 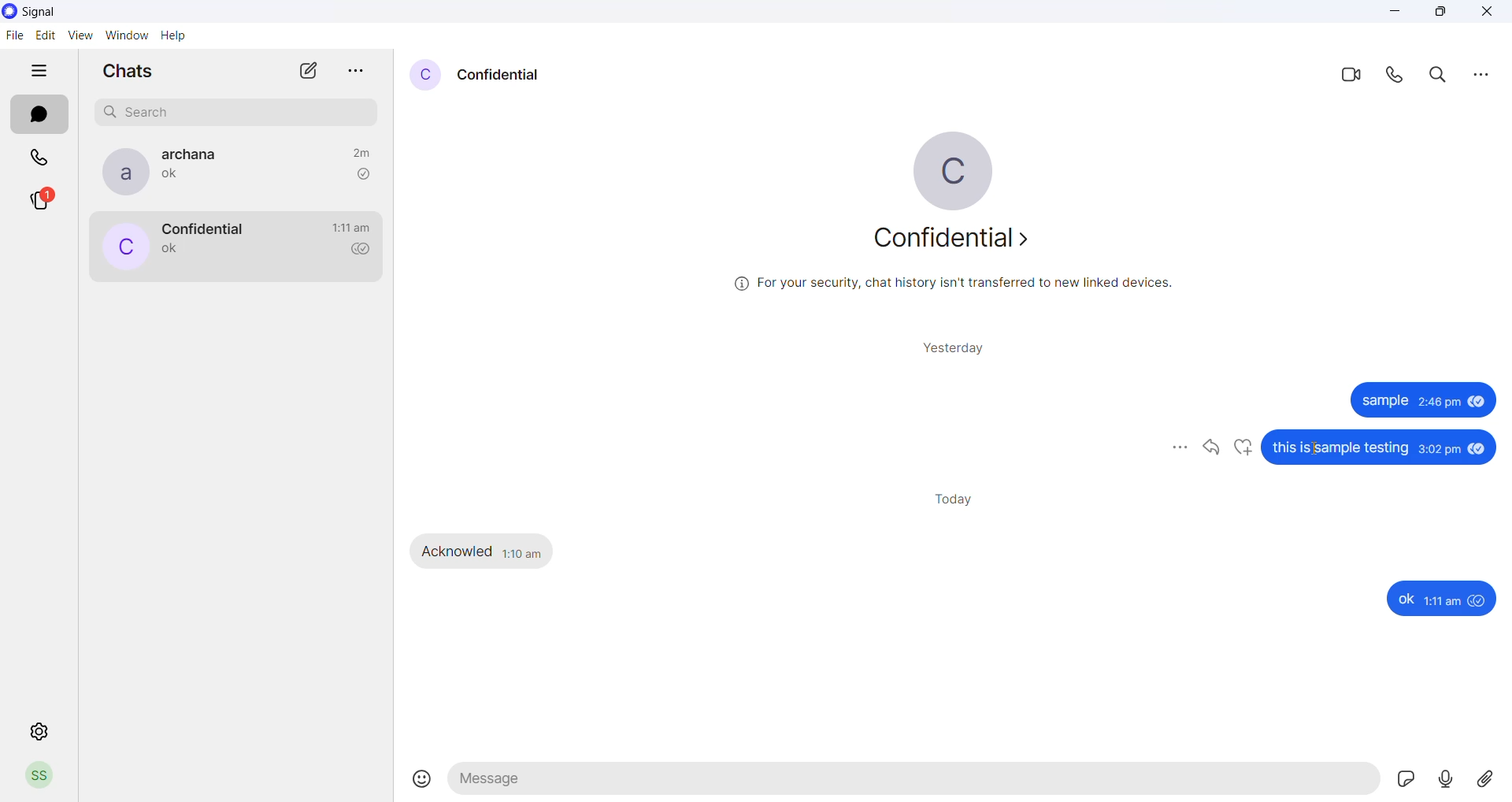 I want to click on share attachment, so click(x=1492, y=778).